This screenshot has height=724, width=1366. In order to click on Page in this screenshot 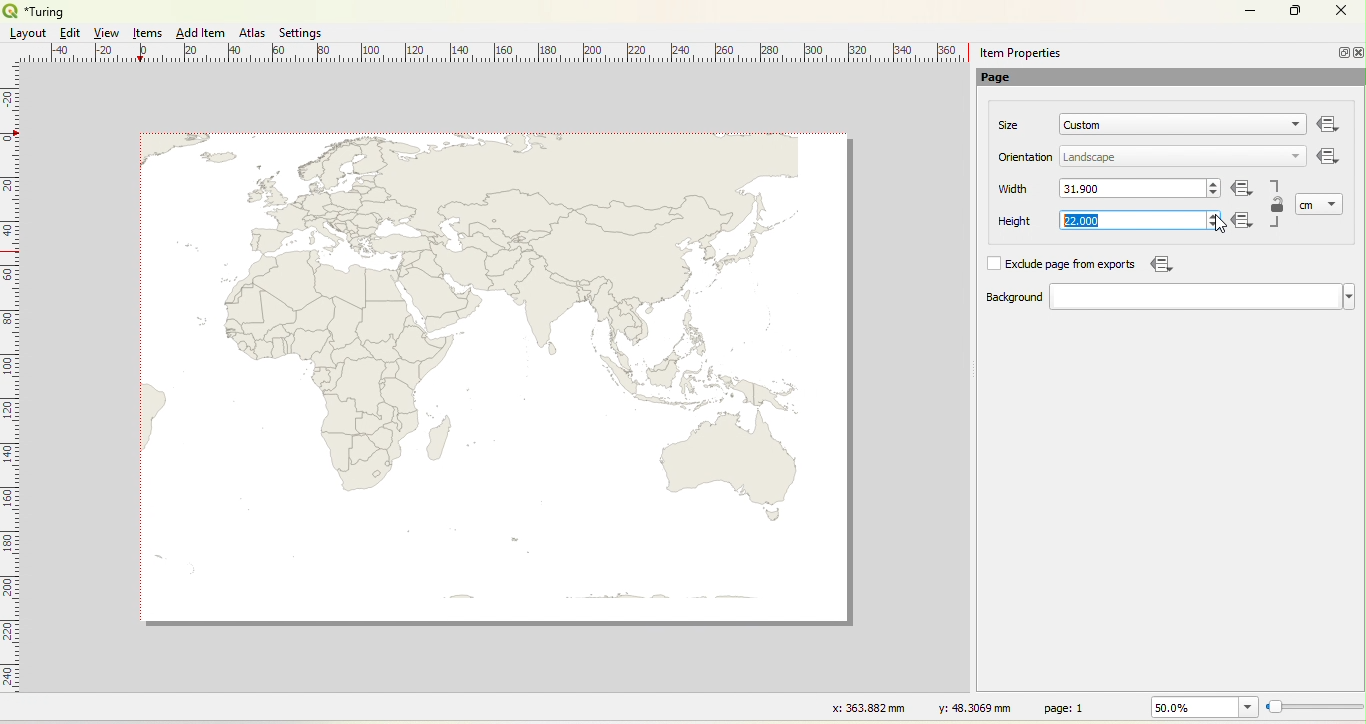, I will do `click(1006, 79)`.